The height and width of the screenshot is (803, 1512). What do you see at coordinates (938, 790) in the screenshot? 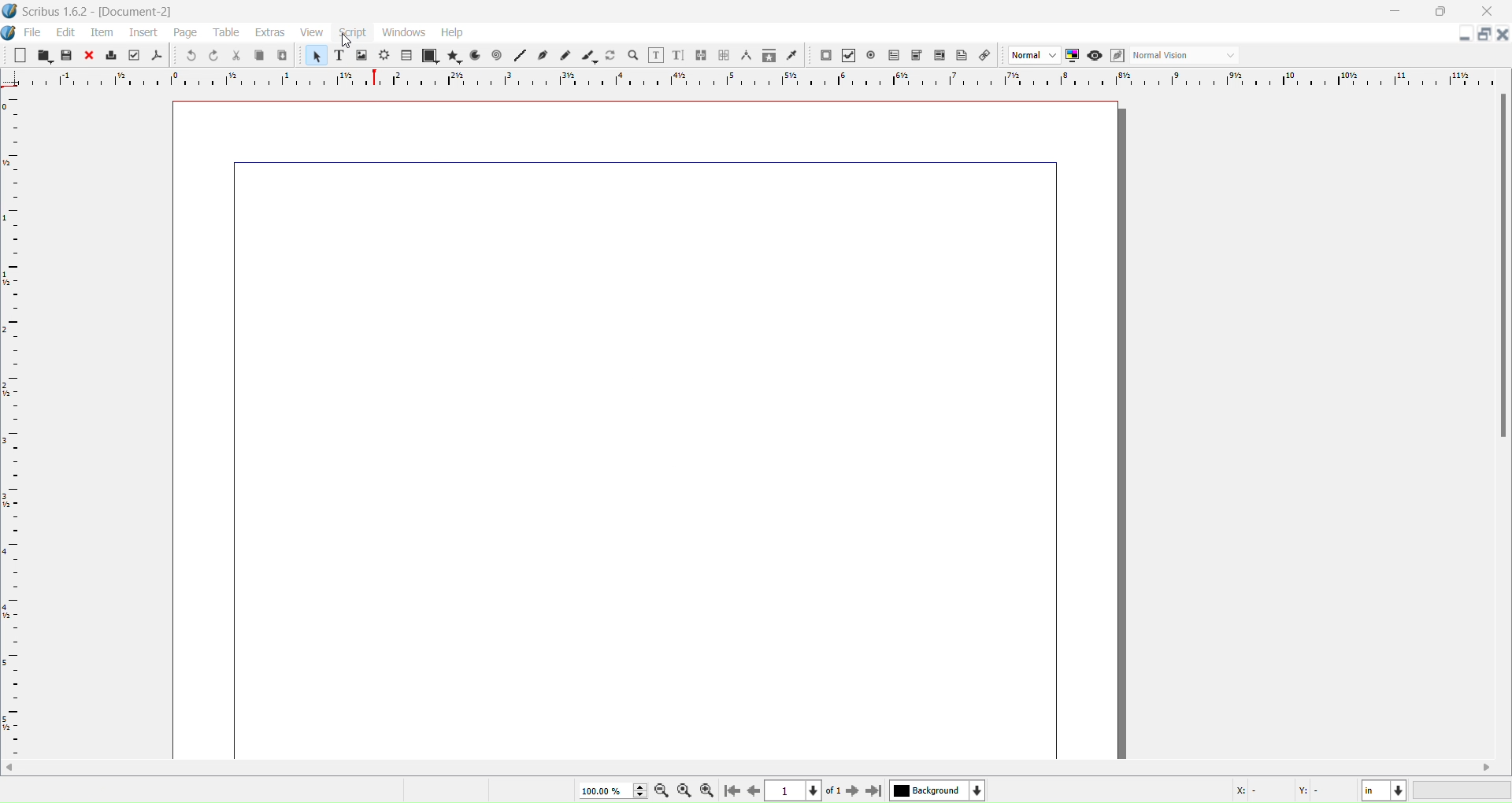
I see `Select the current layer` at bounding box center [938, 790].